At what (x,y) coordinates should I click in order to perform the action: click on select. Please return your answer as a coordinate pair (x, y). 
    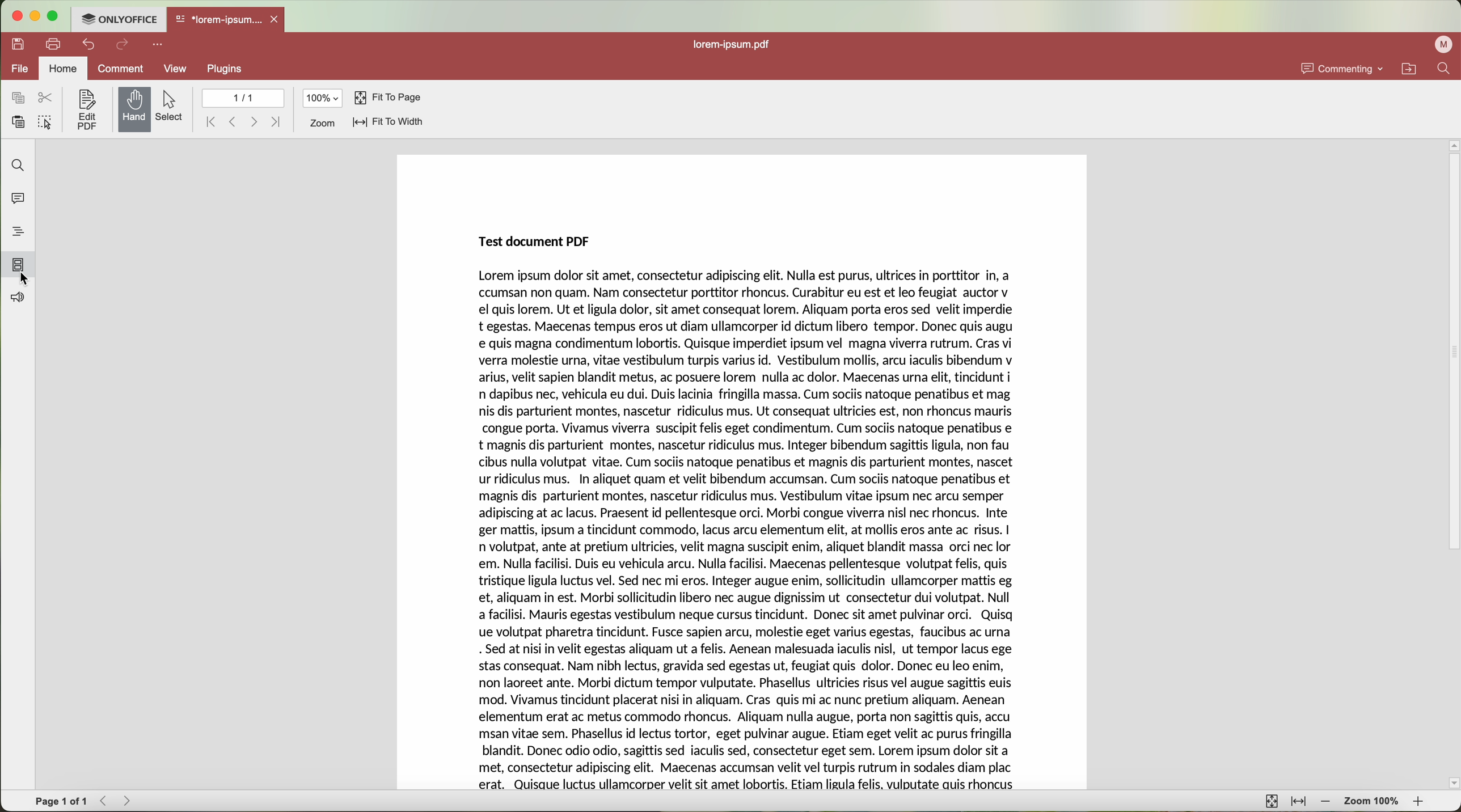
    Looking at the image, I should click on (172, 107).